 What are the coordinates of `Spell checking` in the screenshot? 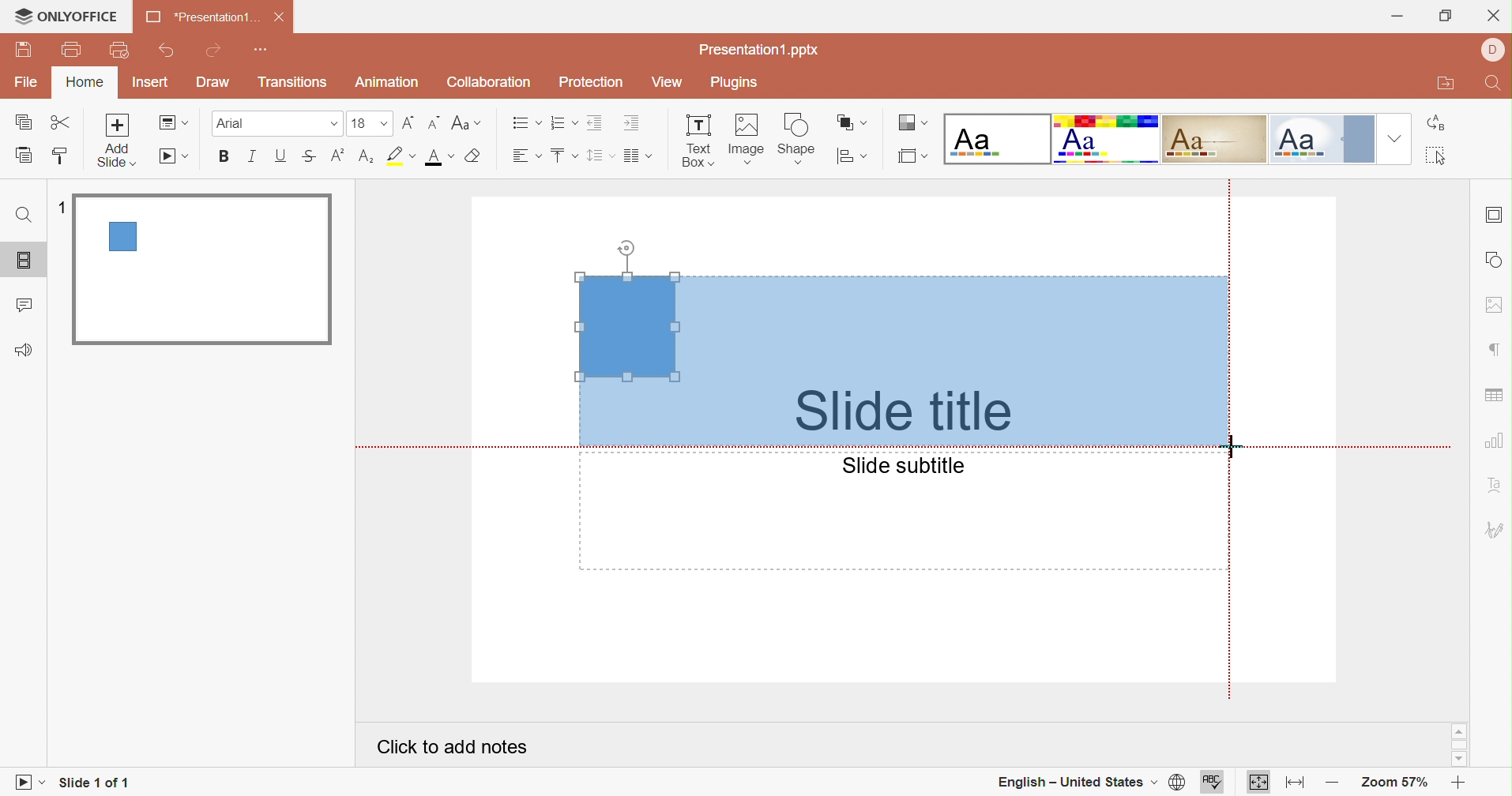 It's located at (1213, 784).